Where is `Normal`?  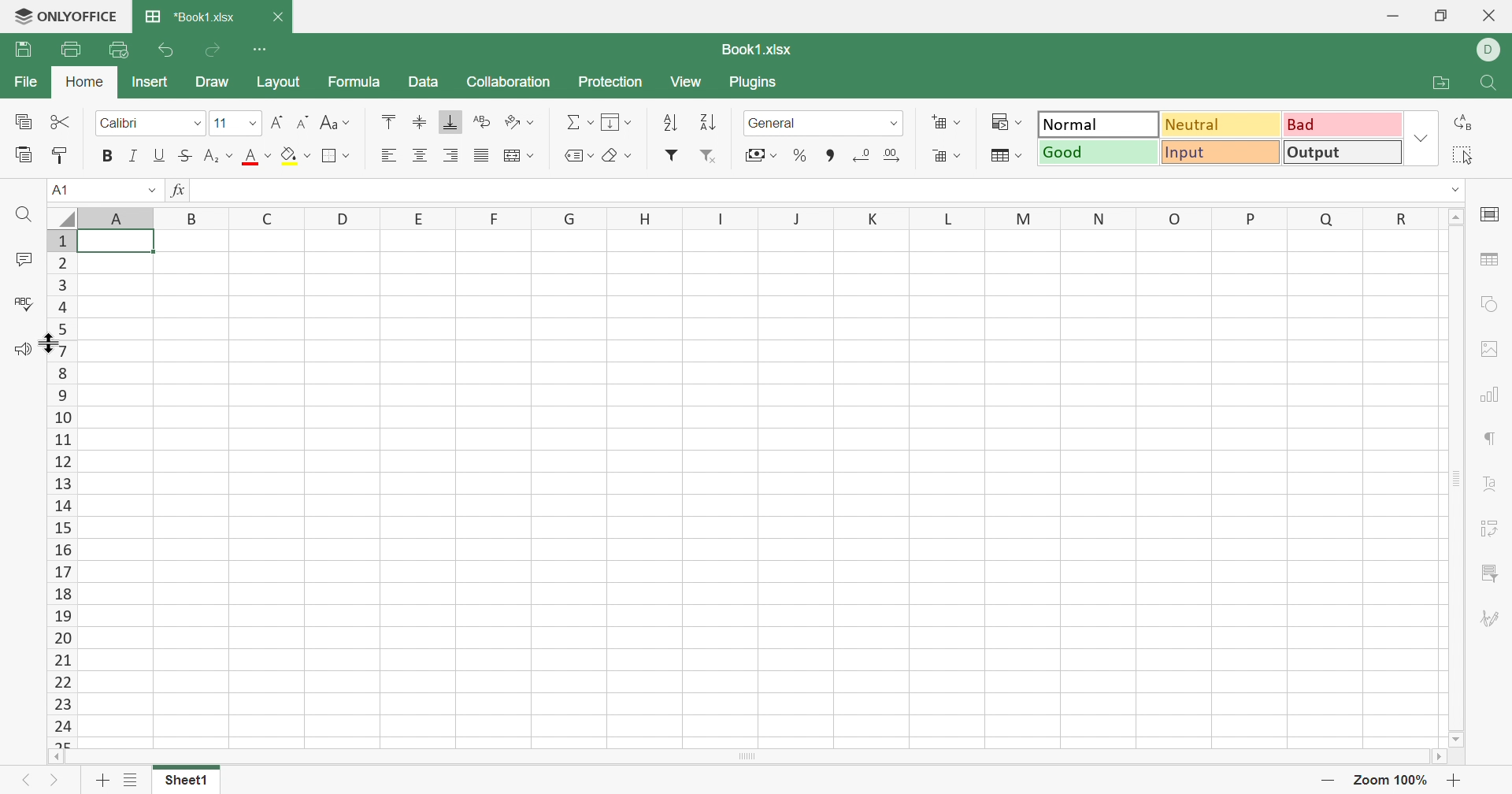 Normal is located at coordinates (1094, 124).